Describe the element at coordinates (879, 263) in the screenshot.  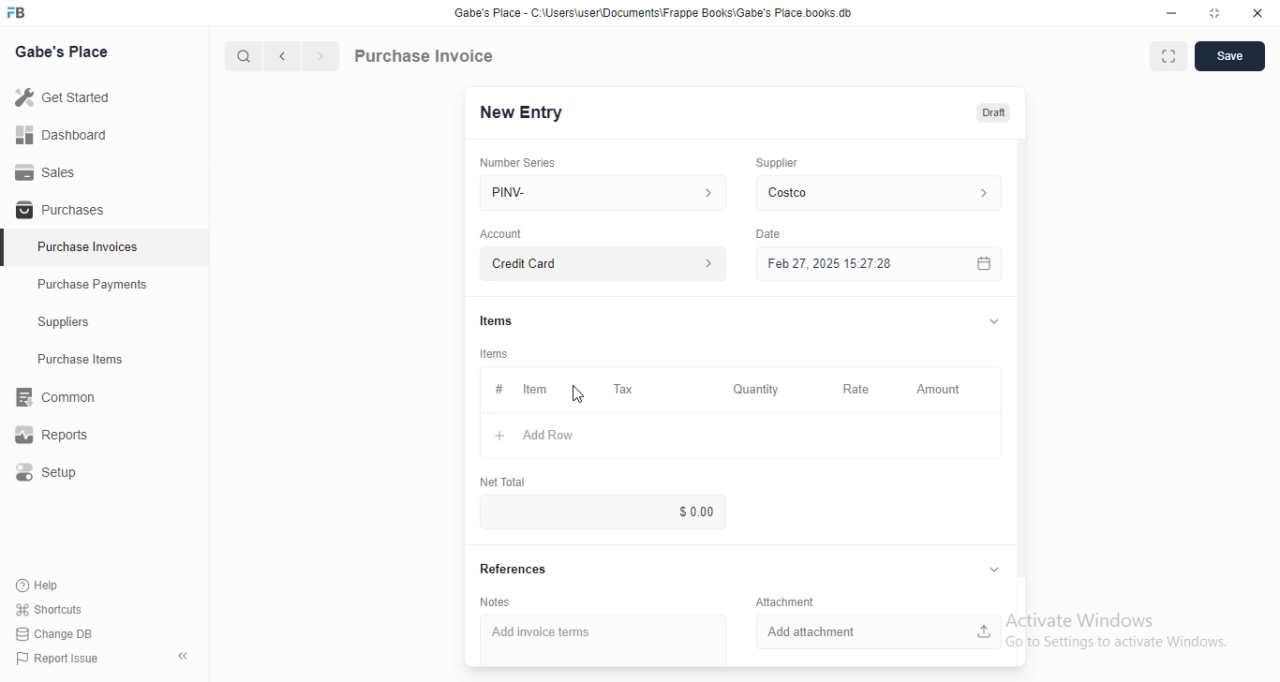
I see `Feb 27, 2025 15:27:28` at that location.